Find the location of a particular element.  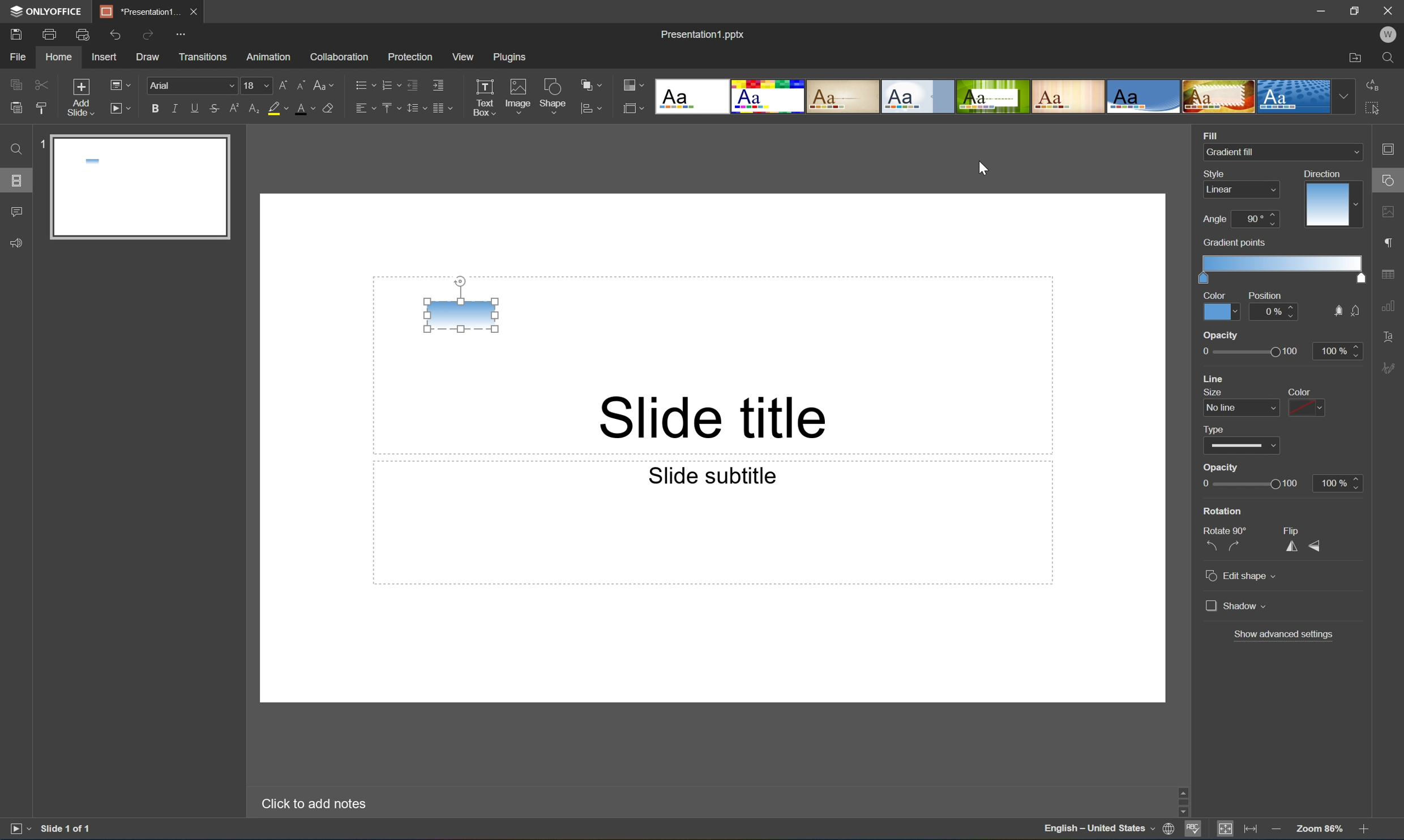

Flip vertically is located at coordinates (1316, 547).